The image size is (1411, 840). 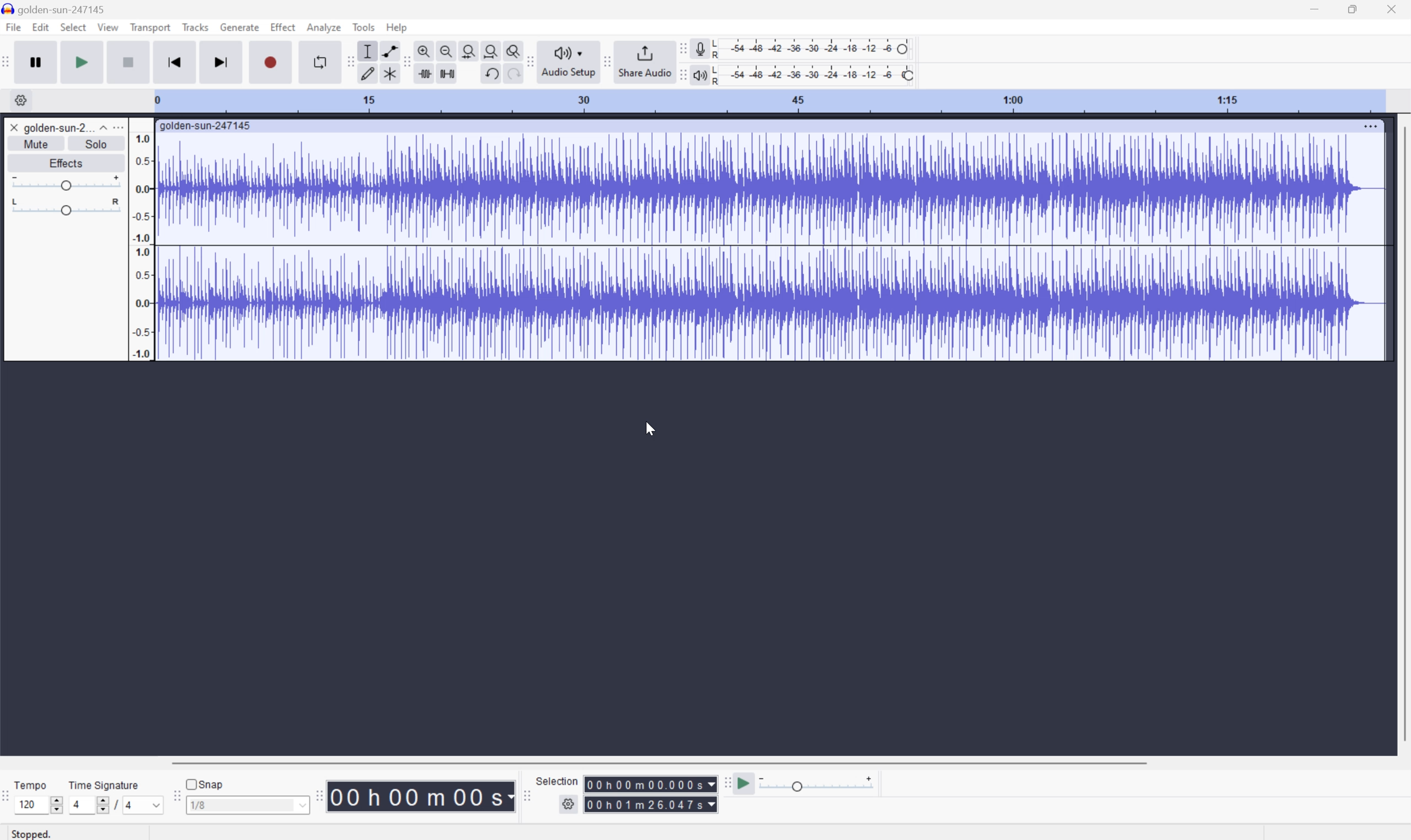 I want to click on Scroll Bar, so click(x=1402, y=434).